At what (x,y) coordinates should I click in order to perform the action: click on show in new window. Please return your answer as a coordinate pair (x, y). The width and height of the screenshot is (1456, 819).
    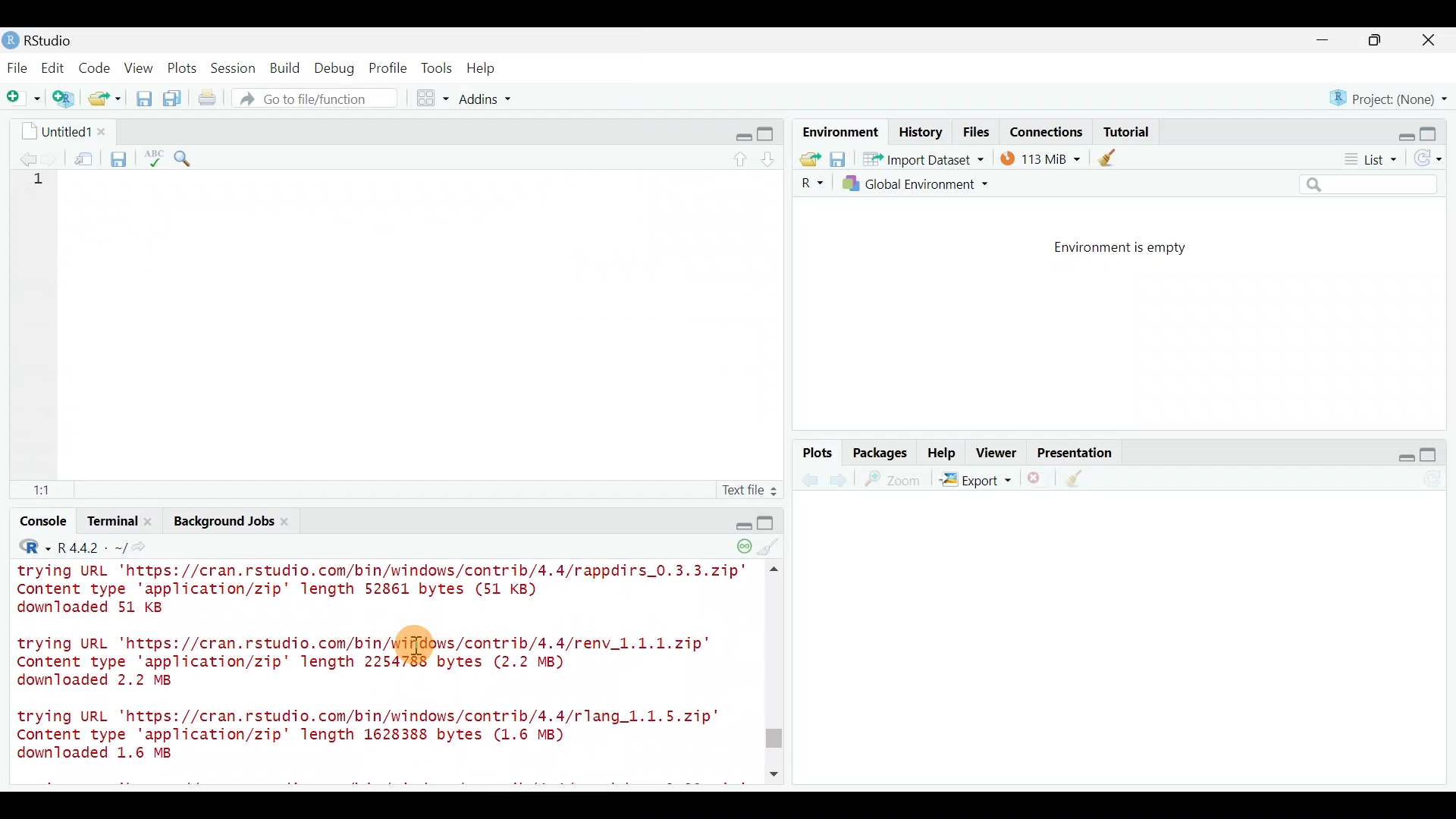
    Looking at the image, I should click on (85, 156).